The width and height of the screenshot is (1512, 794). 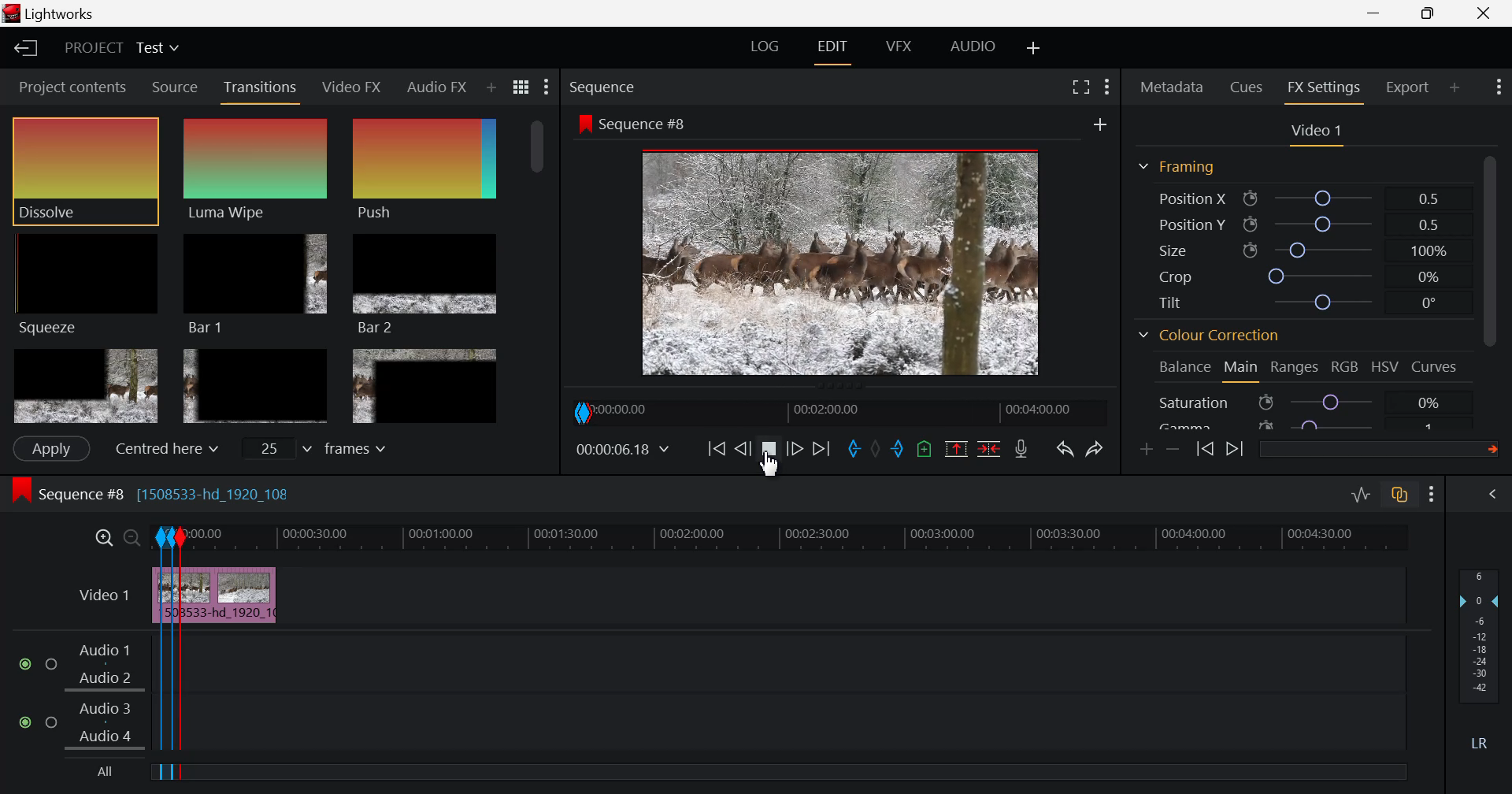 What do you see at coordinates (1318, 132) in the screenshot?
I see `Video 1 settings open` at bounding box center [1318, 132].